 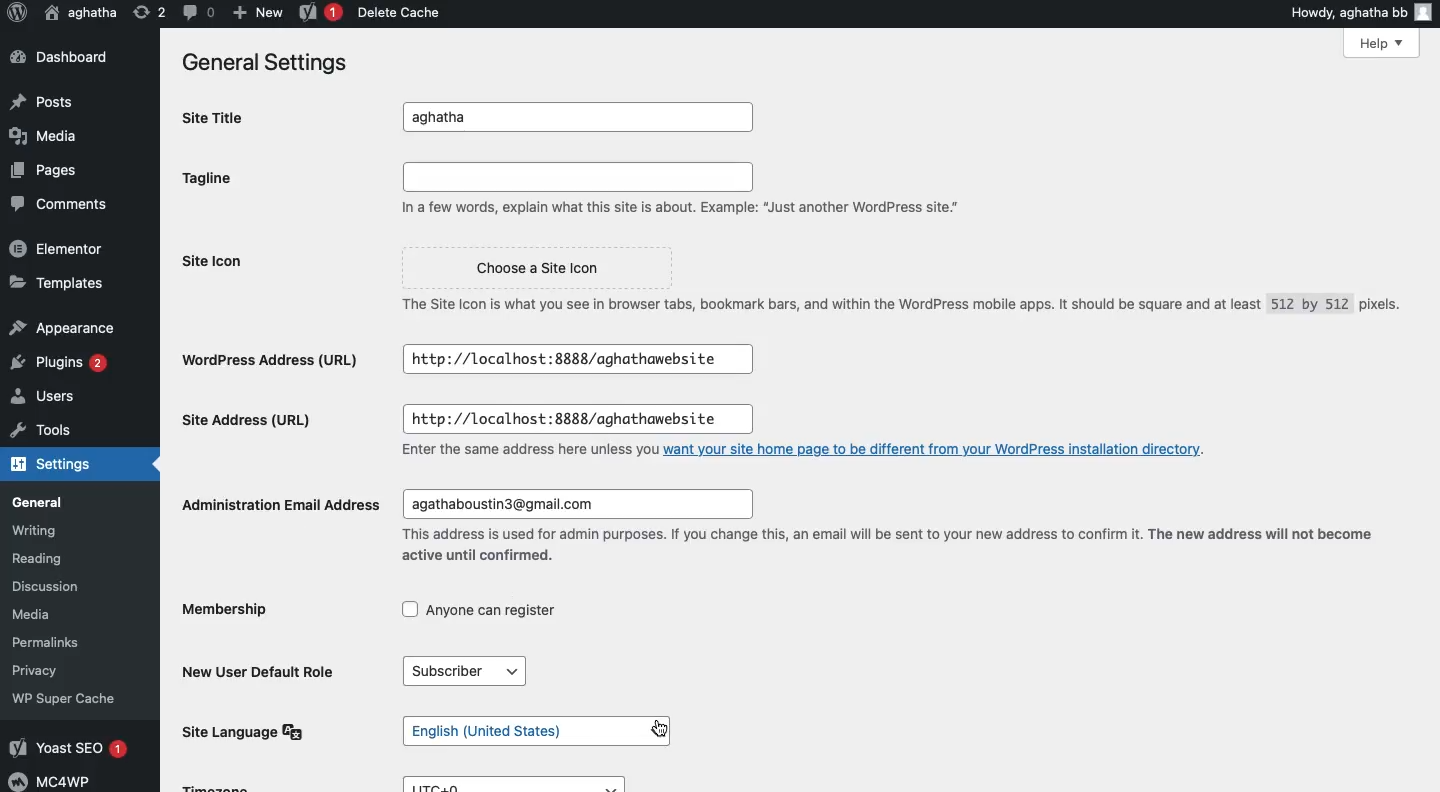 I want to click on English (United States) &|, so click(x=539, y=732).